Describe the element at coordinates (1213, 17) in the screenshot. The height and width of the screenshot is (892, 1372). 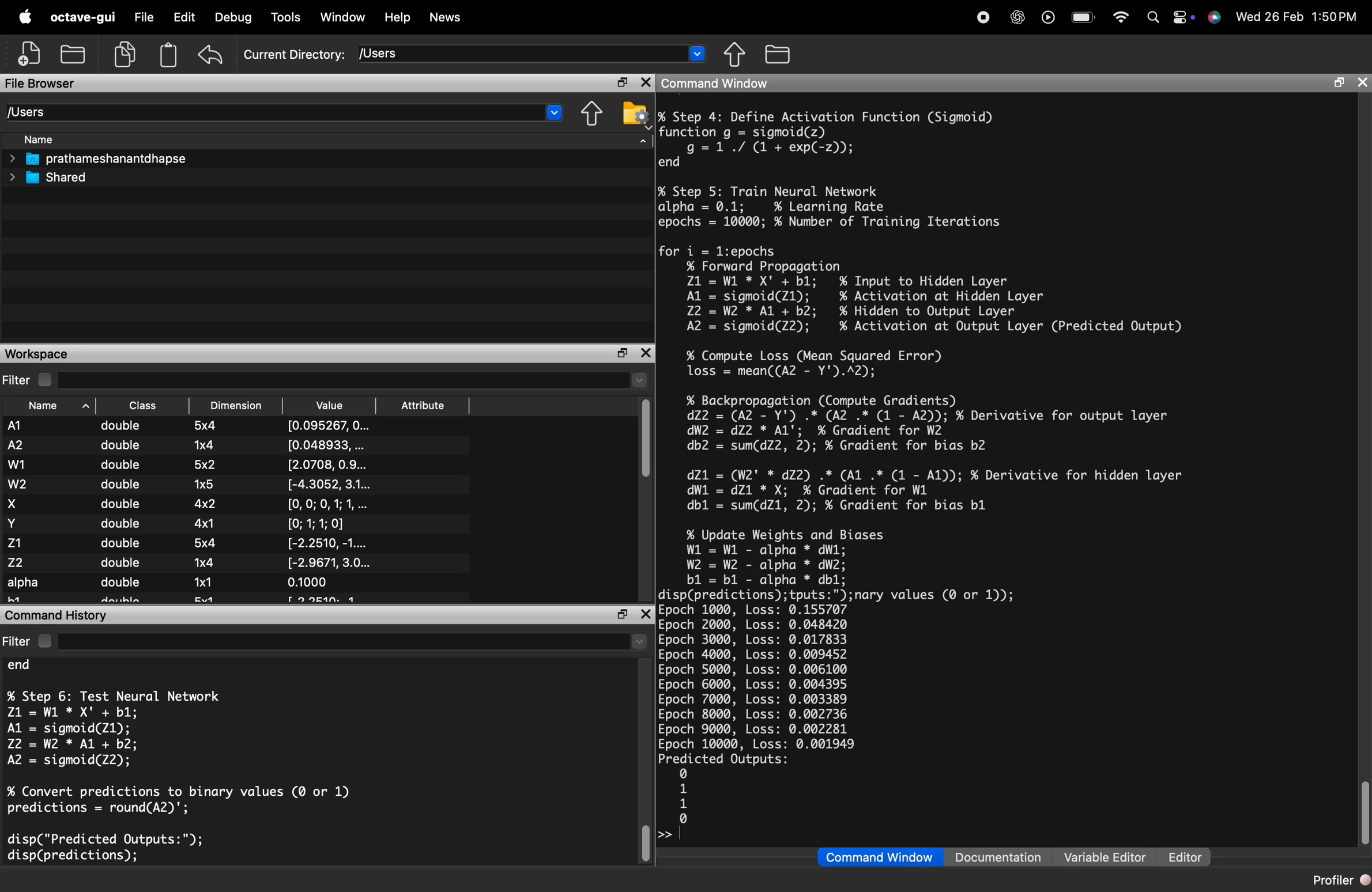
I see `Siri` at that location.